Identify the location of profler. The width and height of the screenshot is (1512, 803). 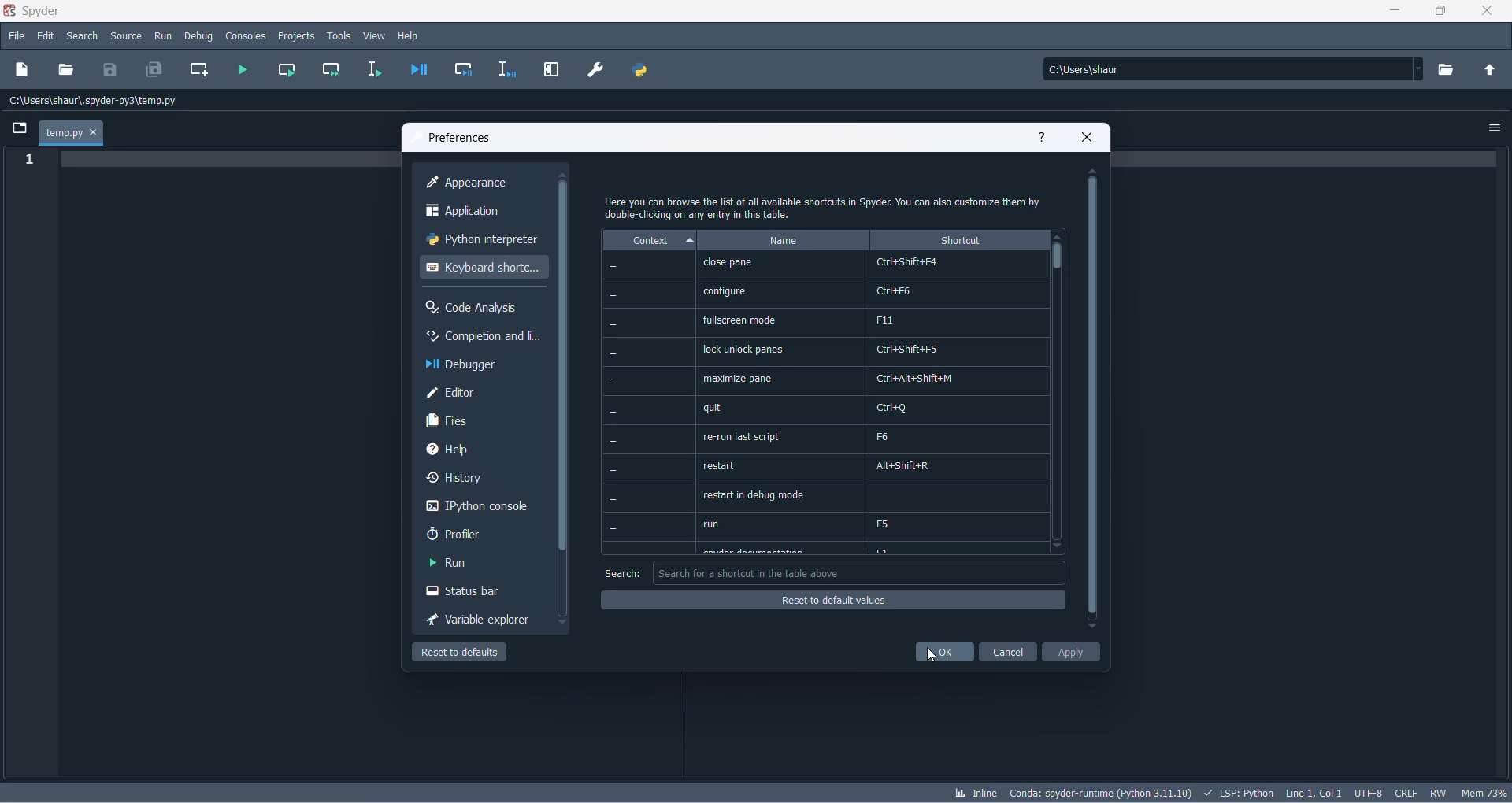
(475, 535).